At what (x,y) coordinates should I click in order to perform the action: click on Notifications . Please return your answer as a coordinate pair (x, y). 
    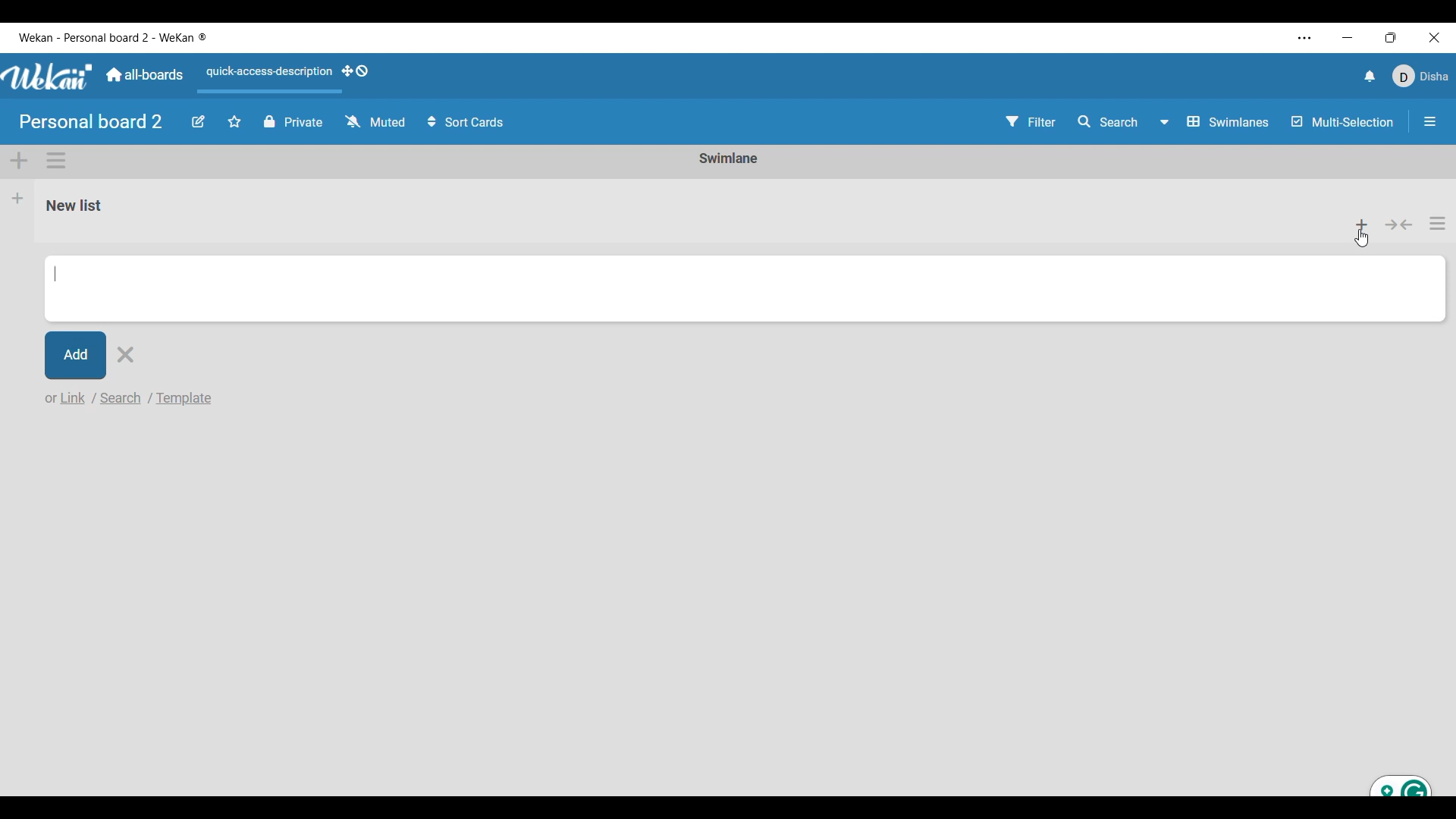
    Looking at the image, I should click on (1370, 76).